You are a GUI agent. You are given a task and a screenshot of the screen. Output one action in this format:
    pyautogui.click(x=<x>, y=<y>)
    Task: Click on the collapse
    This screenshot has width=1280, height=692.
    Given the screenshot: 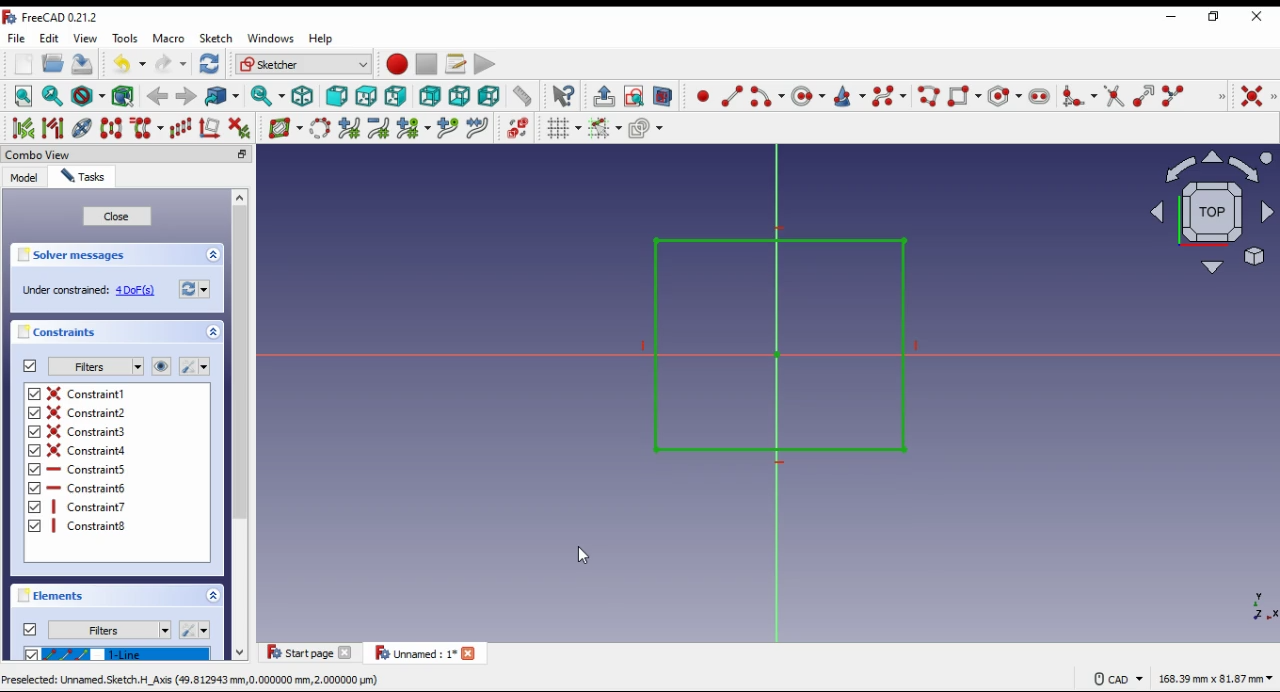 What is the action you would take?
    pyautogui.click(x=213, y=255)
    